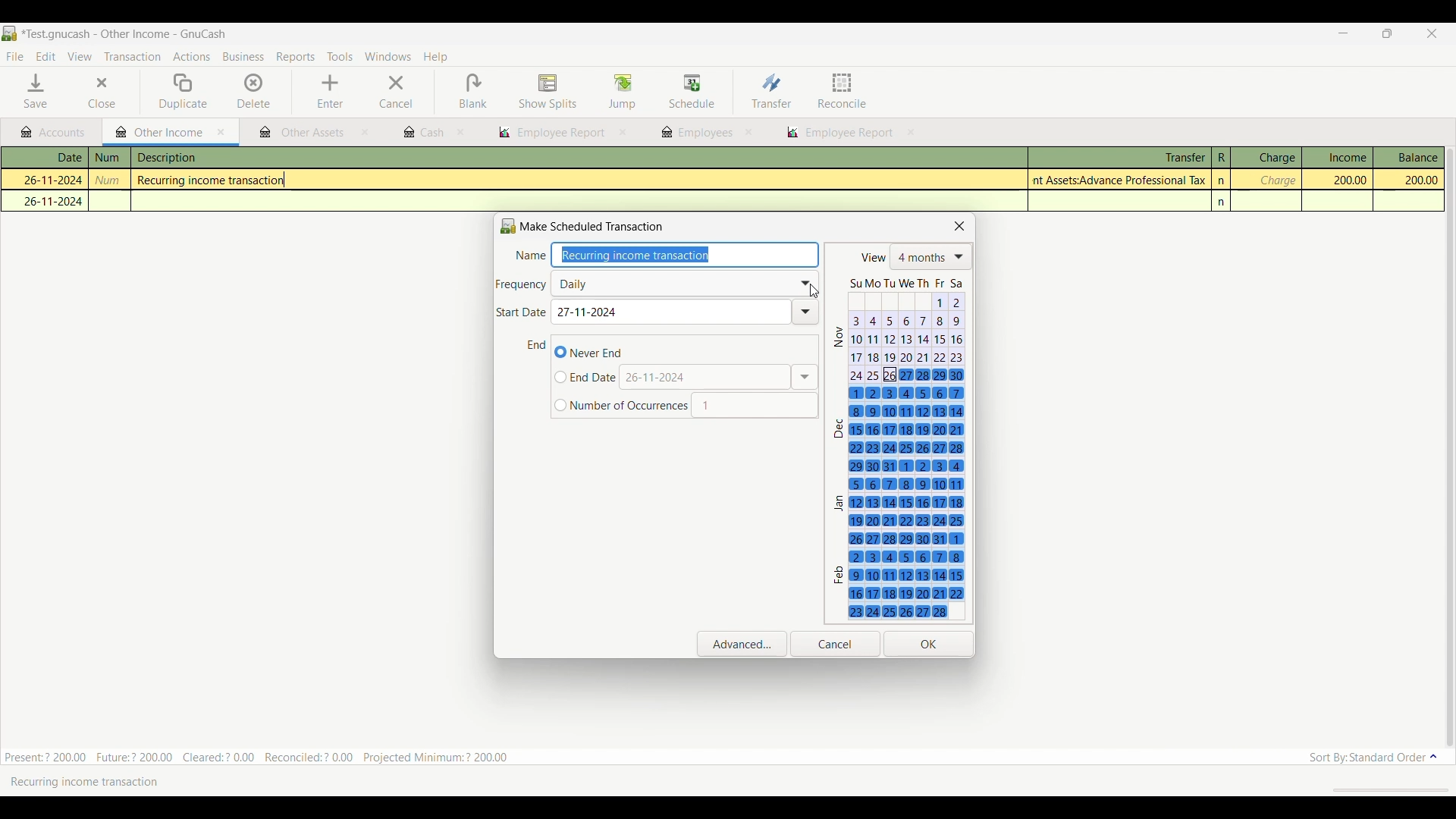  What do you see at coordinates (871, 258) in the screenshot?
I see `view` at bounding box center [871, 258].